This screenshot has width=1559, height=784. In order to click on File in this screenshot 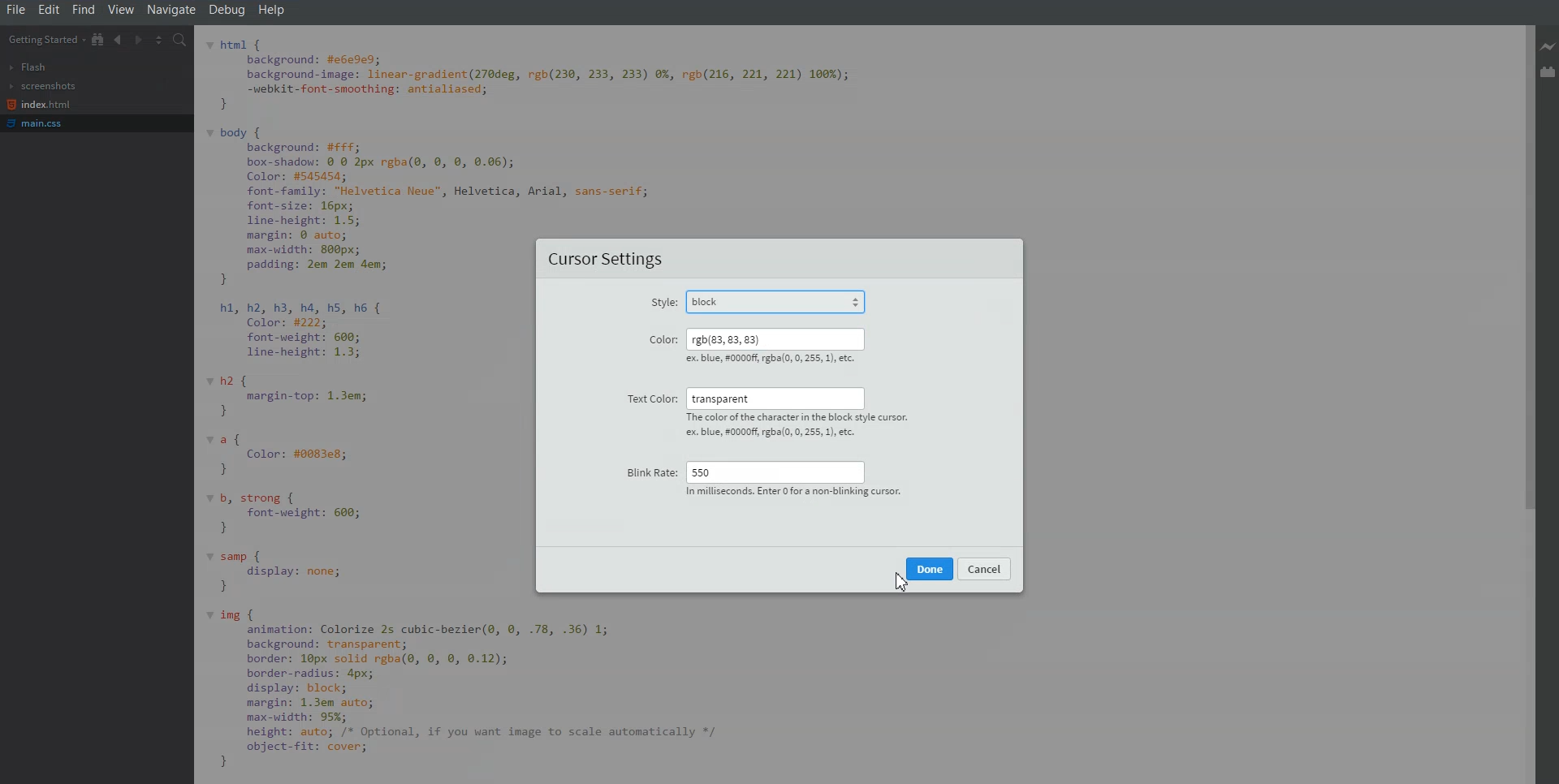, I will do `click(15, 10)`.